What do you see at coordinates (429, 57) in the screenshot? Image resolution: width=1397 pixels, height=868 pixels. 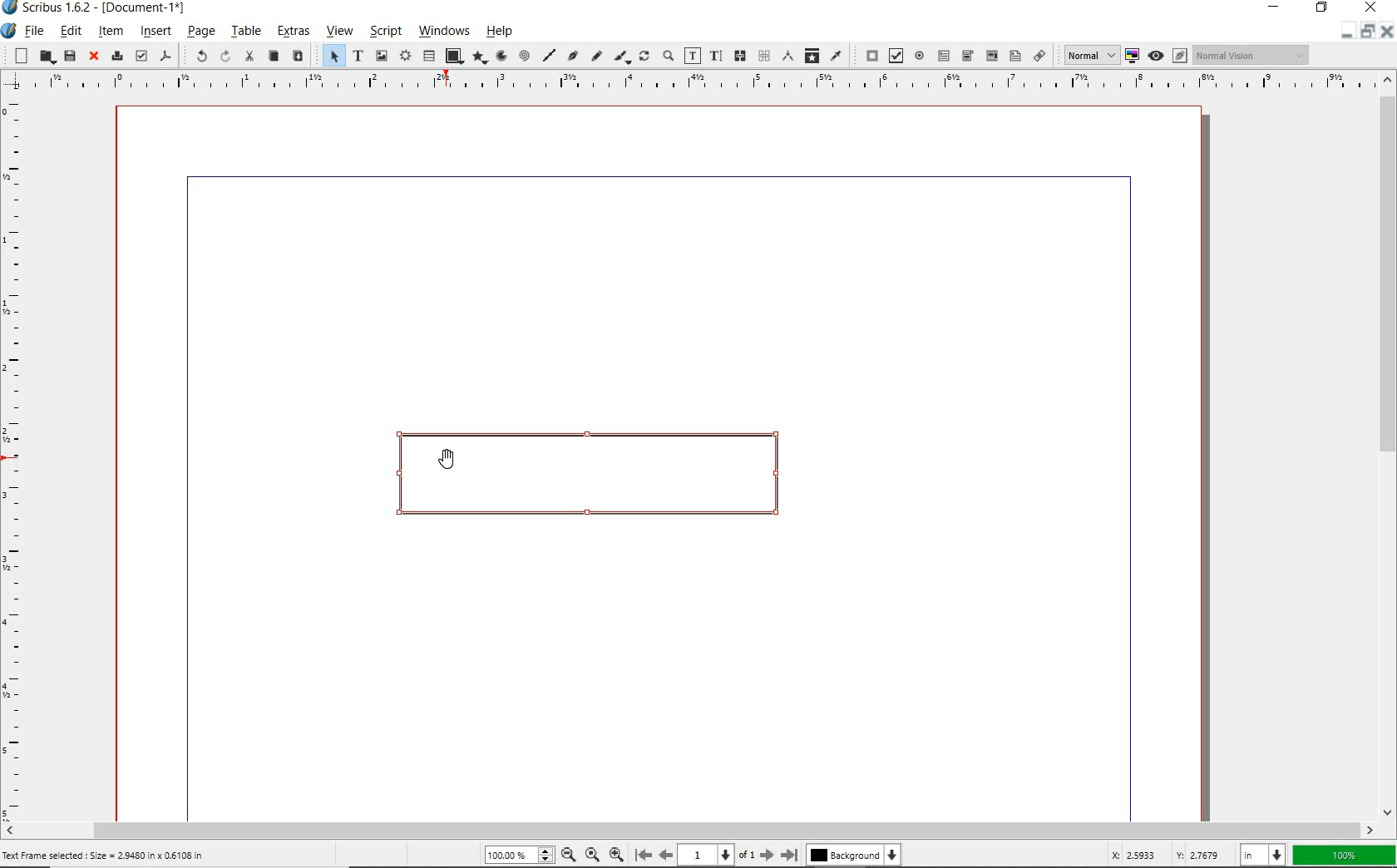 I see `table` at bounding box center [429, 57].